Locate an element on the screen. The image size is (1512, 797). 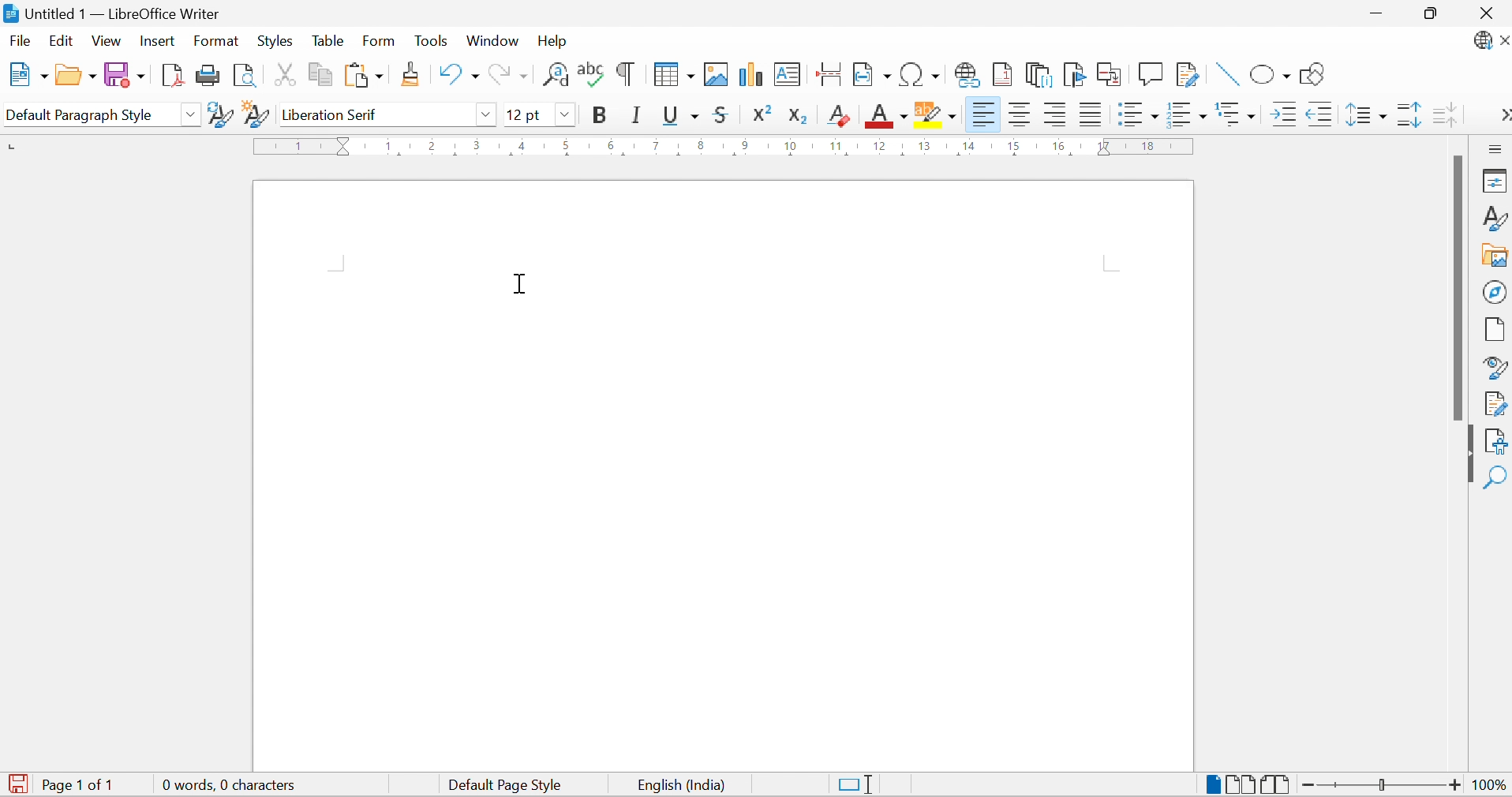
Page 1 of 1 is located at coordinates (83, 785).